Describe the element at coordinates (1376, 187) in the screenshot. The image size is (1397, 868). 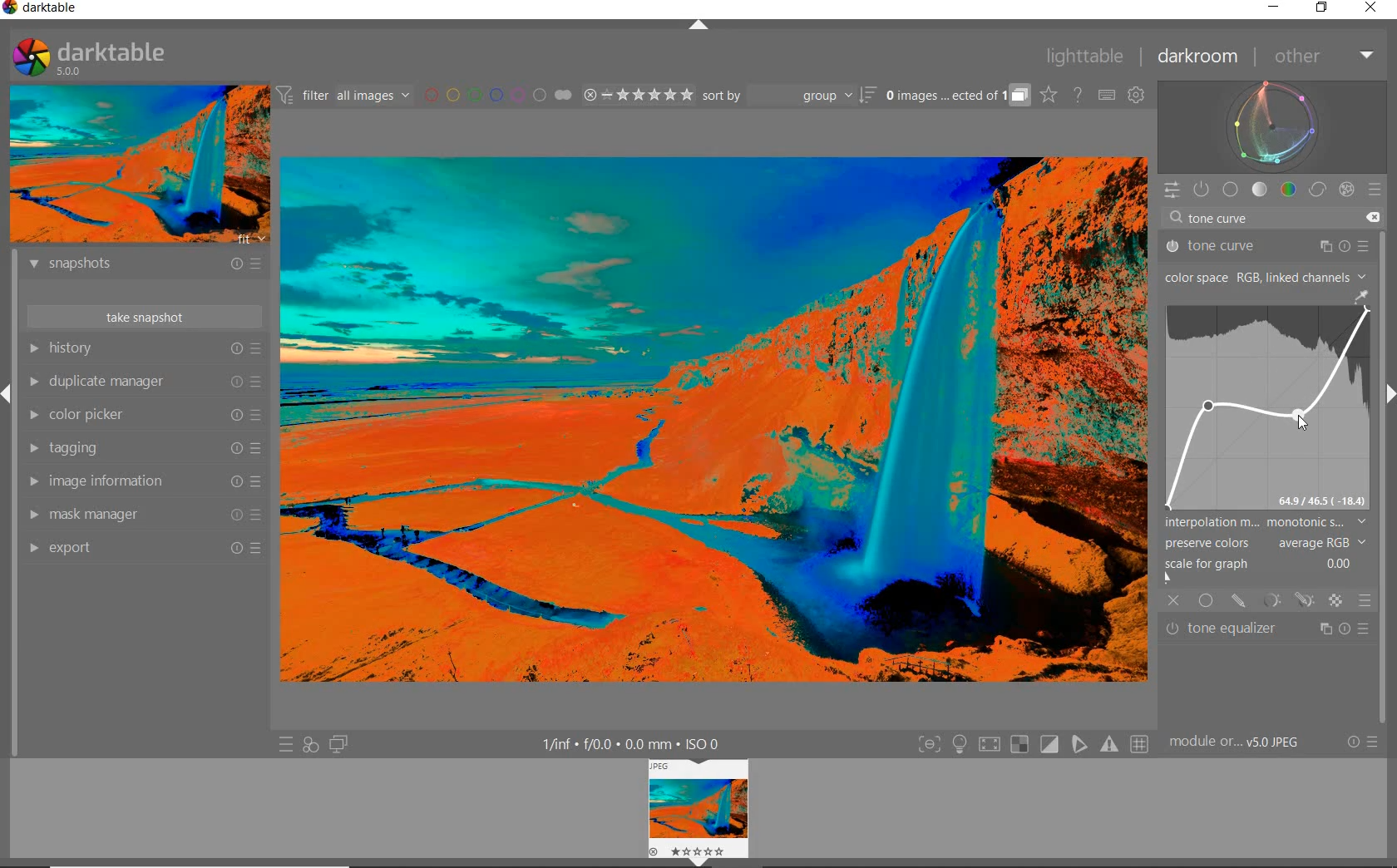
I see `preset` at that location.